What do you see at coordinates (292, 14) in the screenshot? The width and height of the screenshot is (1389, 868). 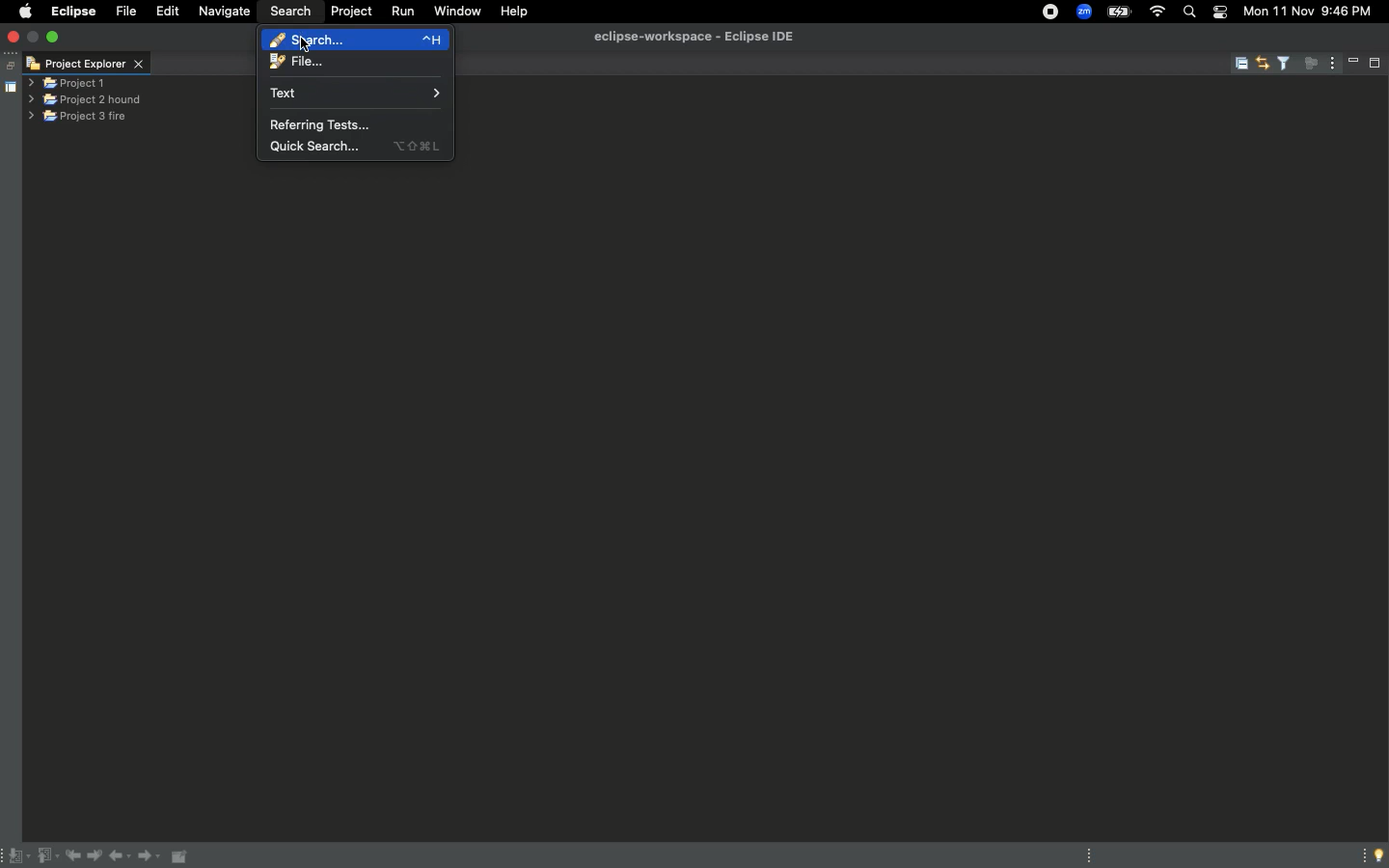 I see `Search` at bounding box center [292, 14].